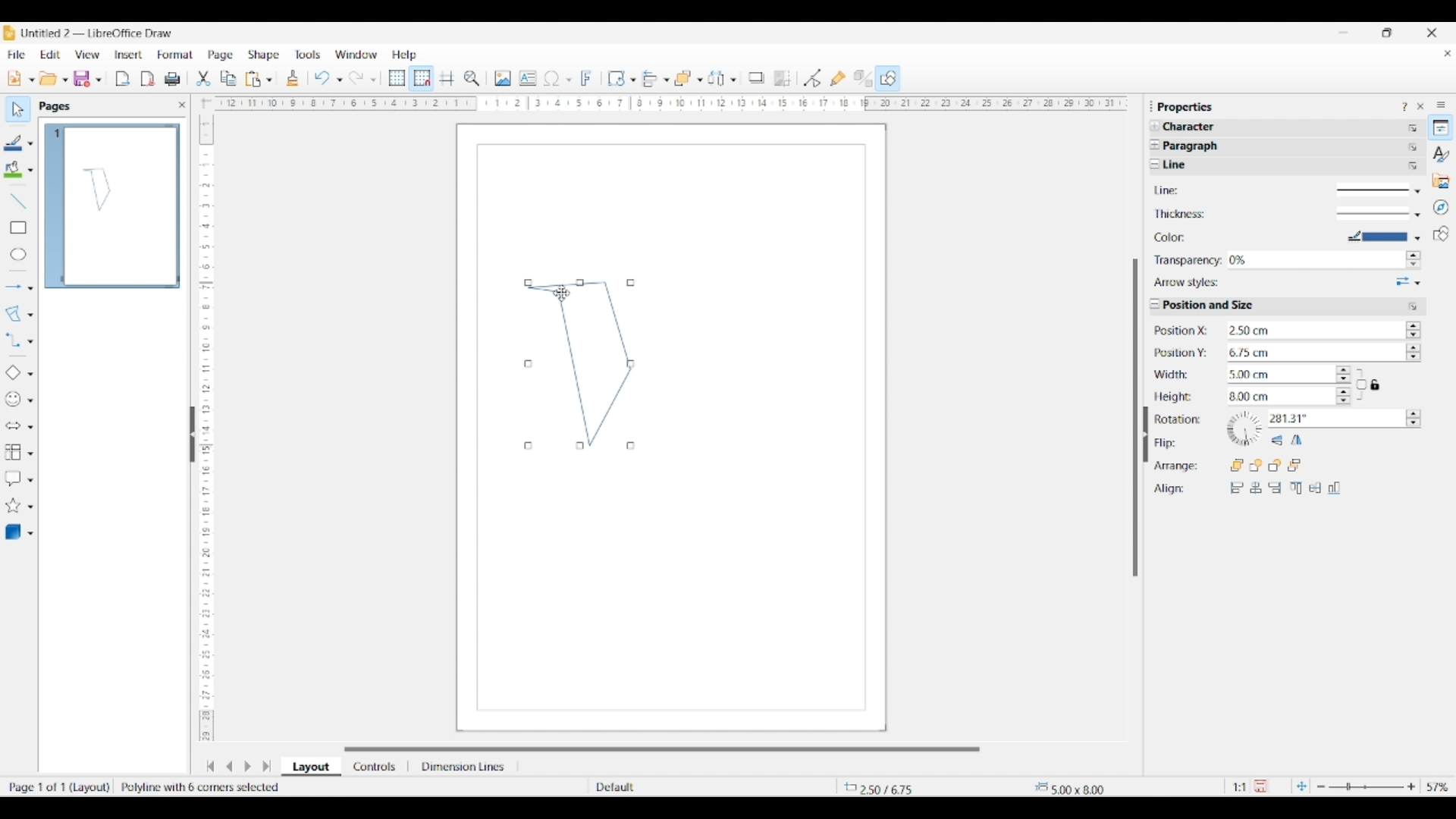 The height and width of the screenshot is (819, 1456). What do you see at coordinates (1240, 787) in the screenshot?
I see `Scaling factor of the document` at bounding box center [1240, 787].